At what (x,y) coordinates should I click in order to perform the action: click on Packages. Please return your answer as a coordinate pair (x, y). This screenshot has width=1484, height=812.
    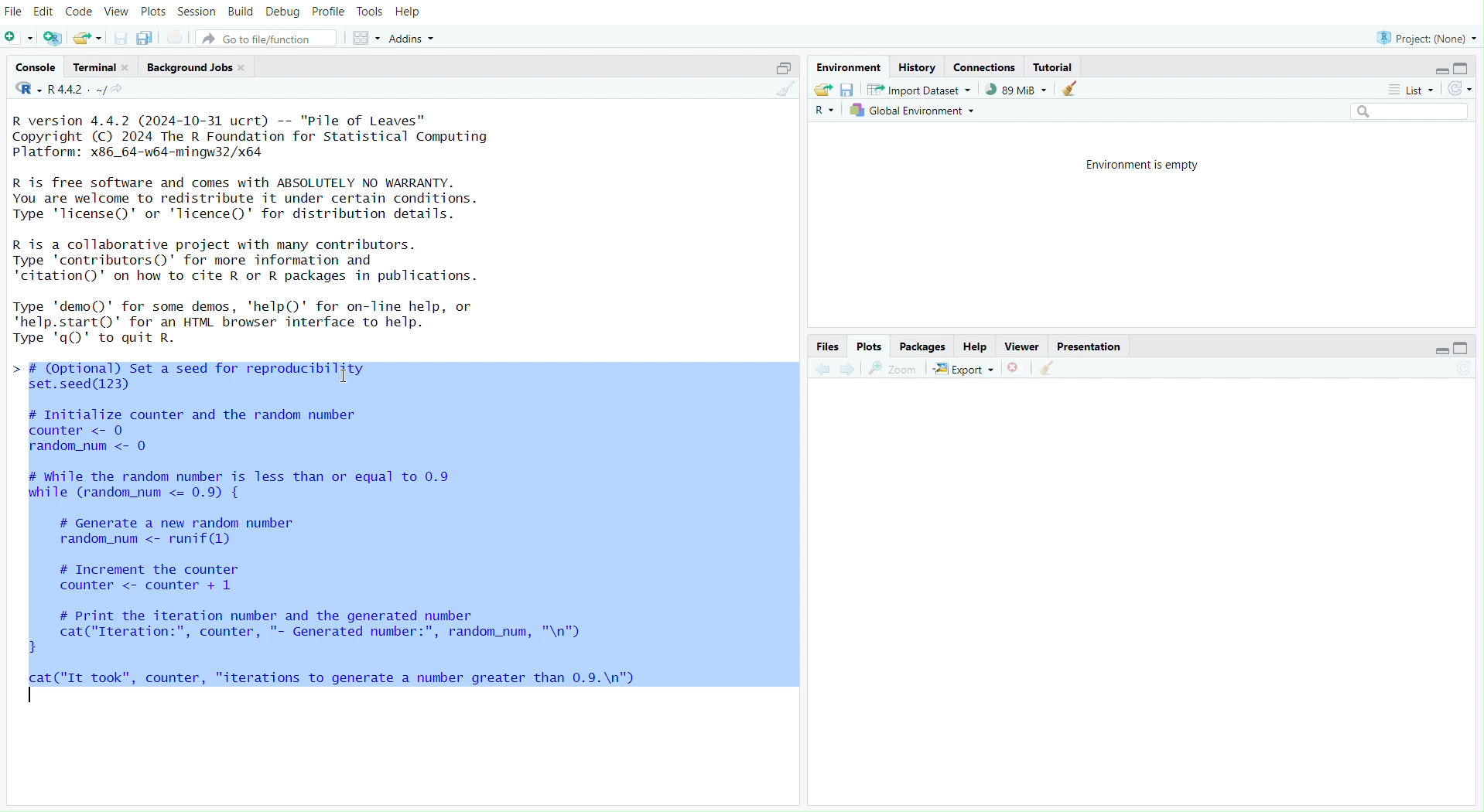
    Looking at the image, I should click on (922, 346).